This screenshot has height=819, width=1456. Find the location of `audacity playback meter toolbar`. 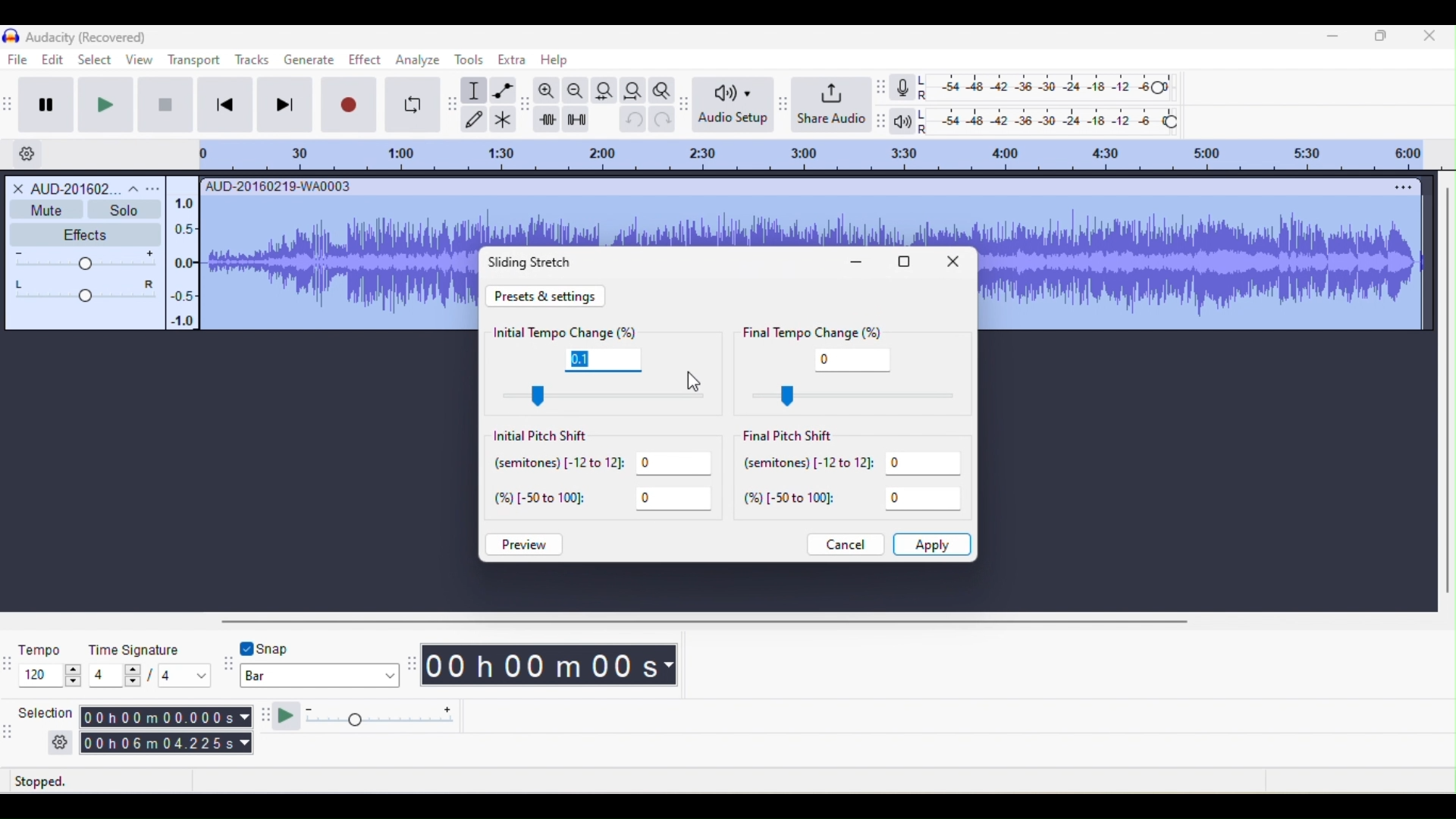

audacity playback meter toolbar is located at coordinates (884, 119).